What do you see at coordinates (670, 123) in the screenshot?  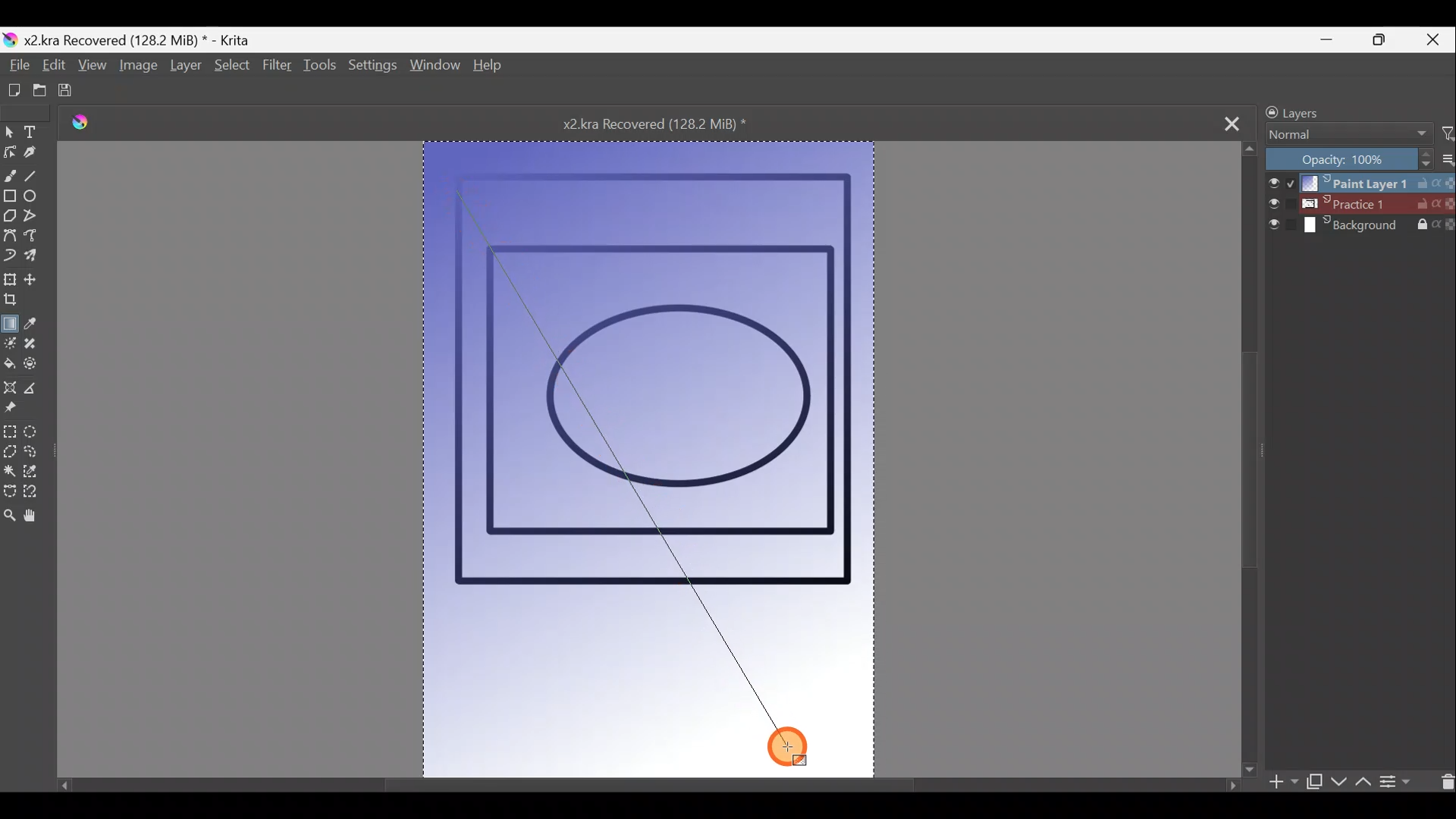 I see `Document name` at bounding box center [670, 123].